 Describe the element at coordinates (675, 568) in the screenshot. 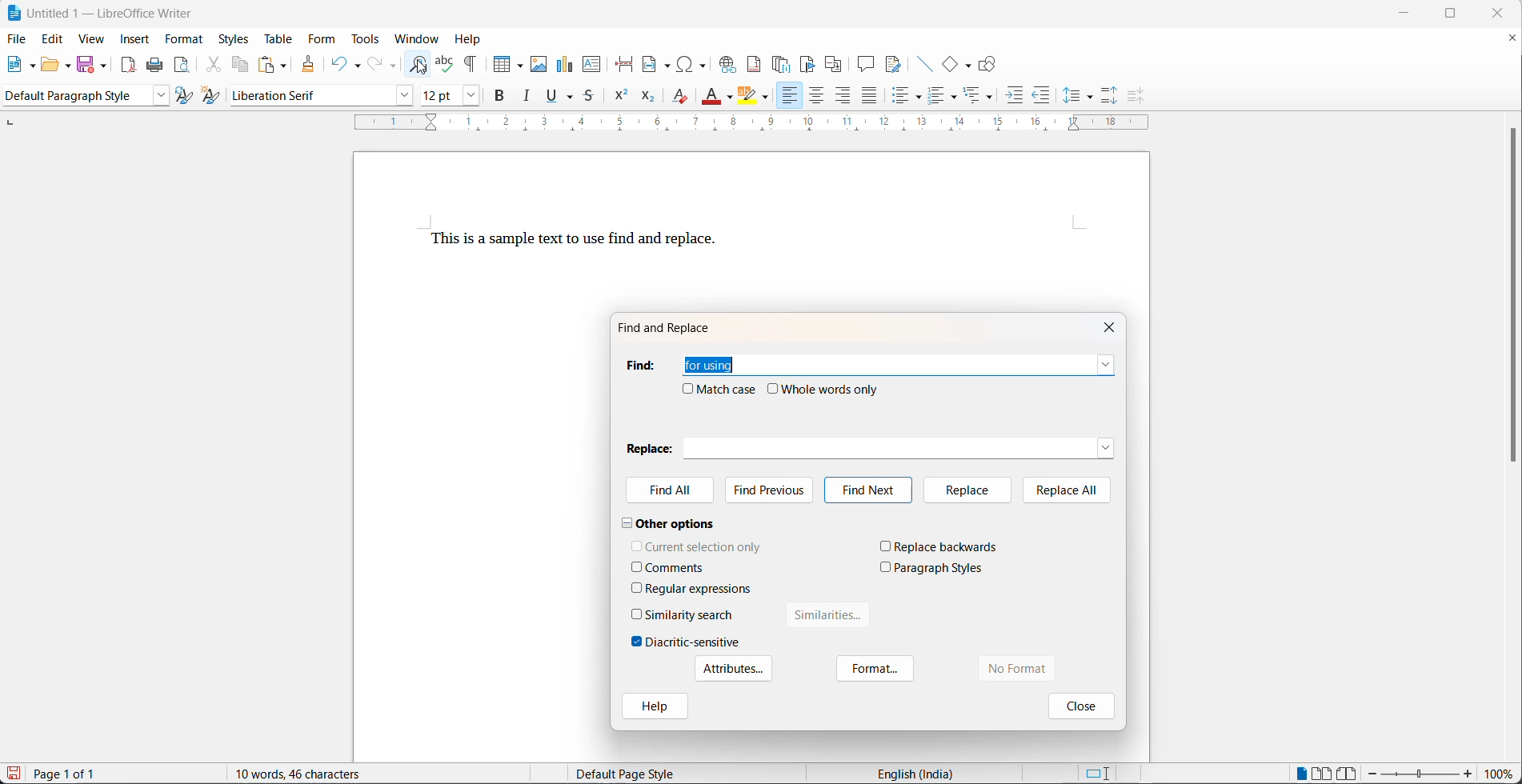

I see `comments` at that location.